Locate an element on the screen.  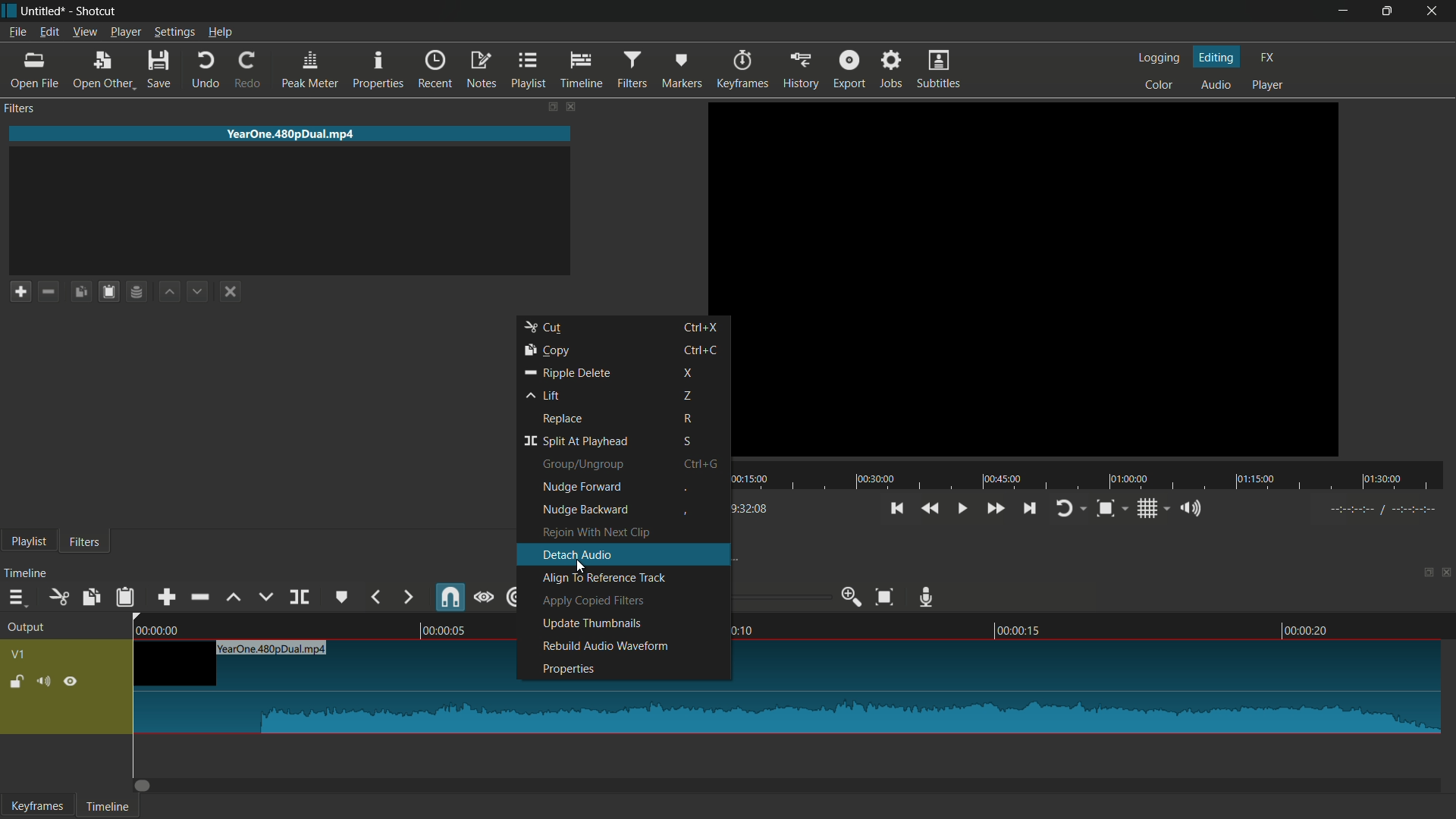
cursor is located at coordinates (580, 567).